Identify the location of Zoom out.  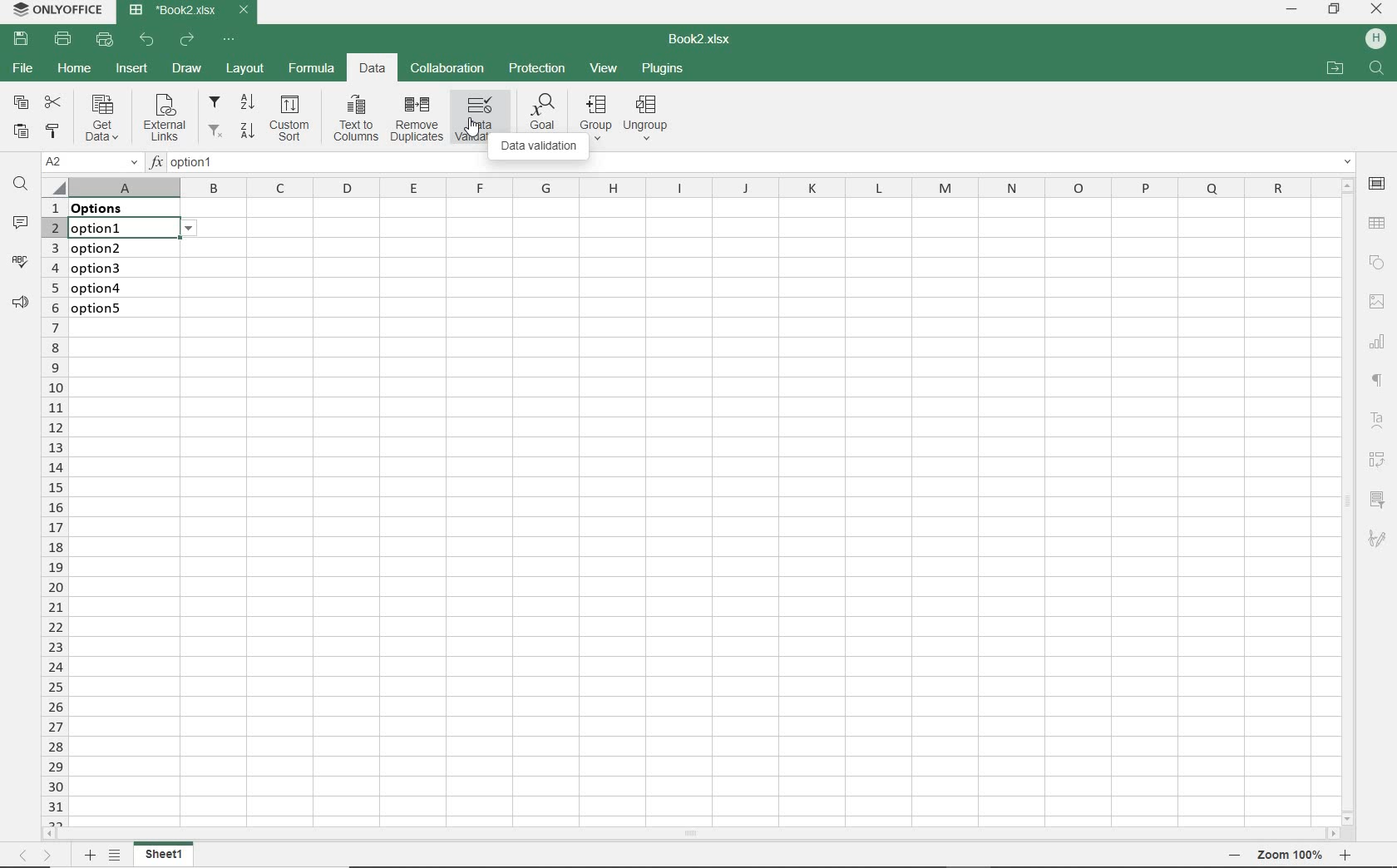
(1230, 856).